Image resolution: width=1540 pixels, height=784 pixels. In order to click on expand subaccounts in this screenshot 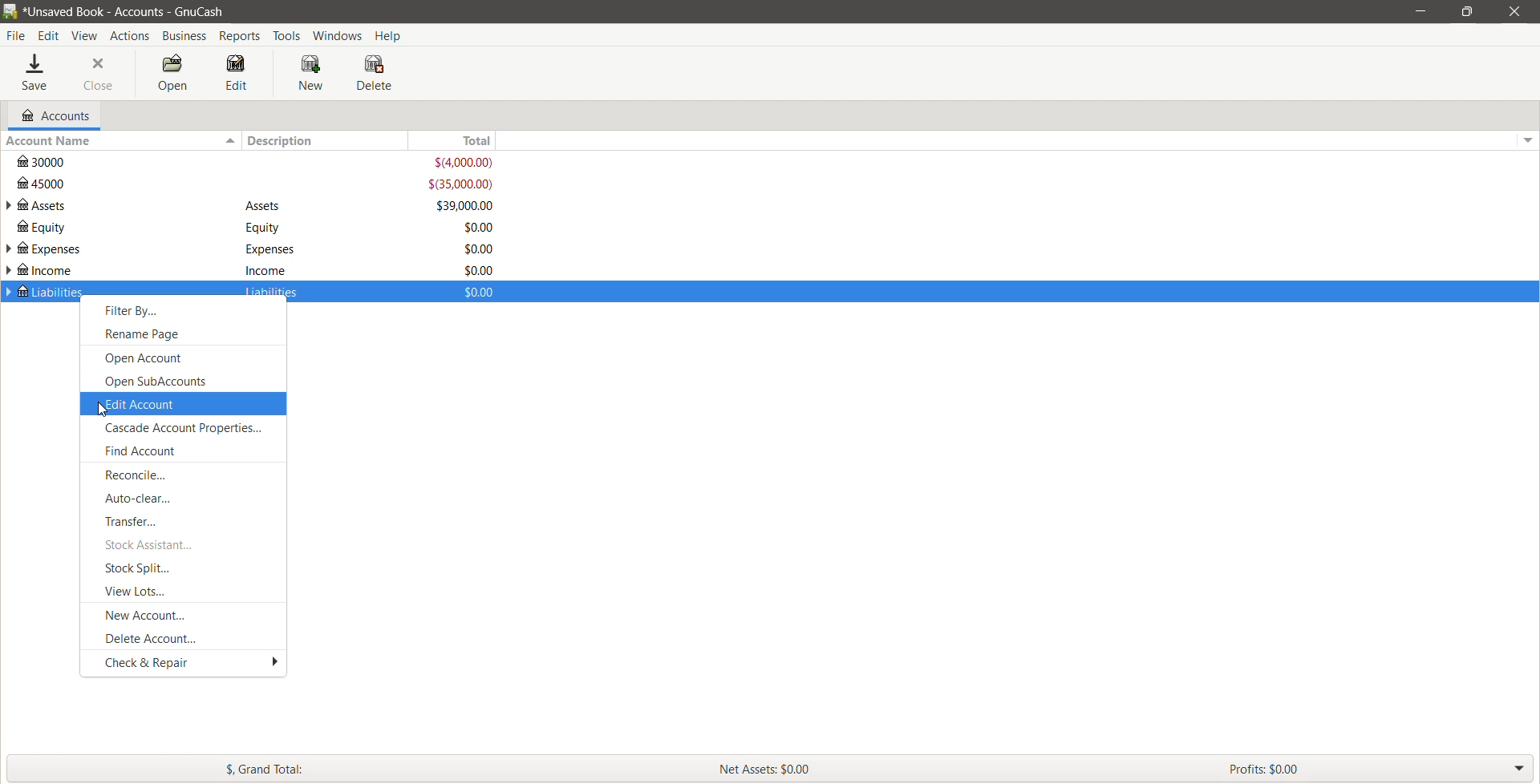, I will do `click(10, 206)`.